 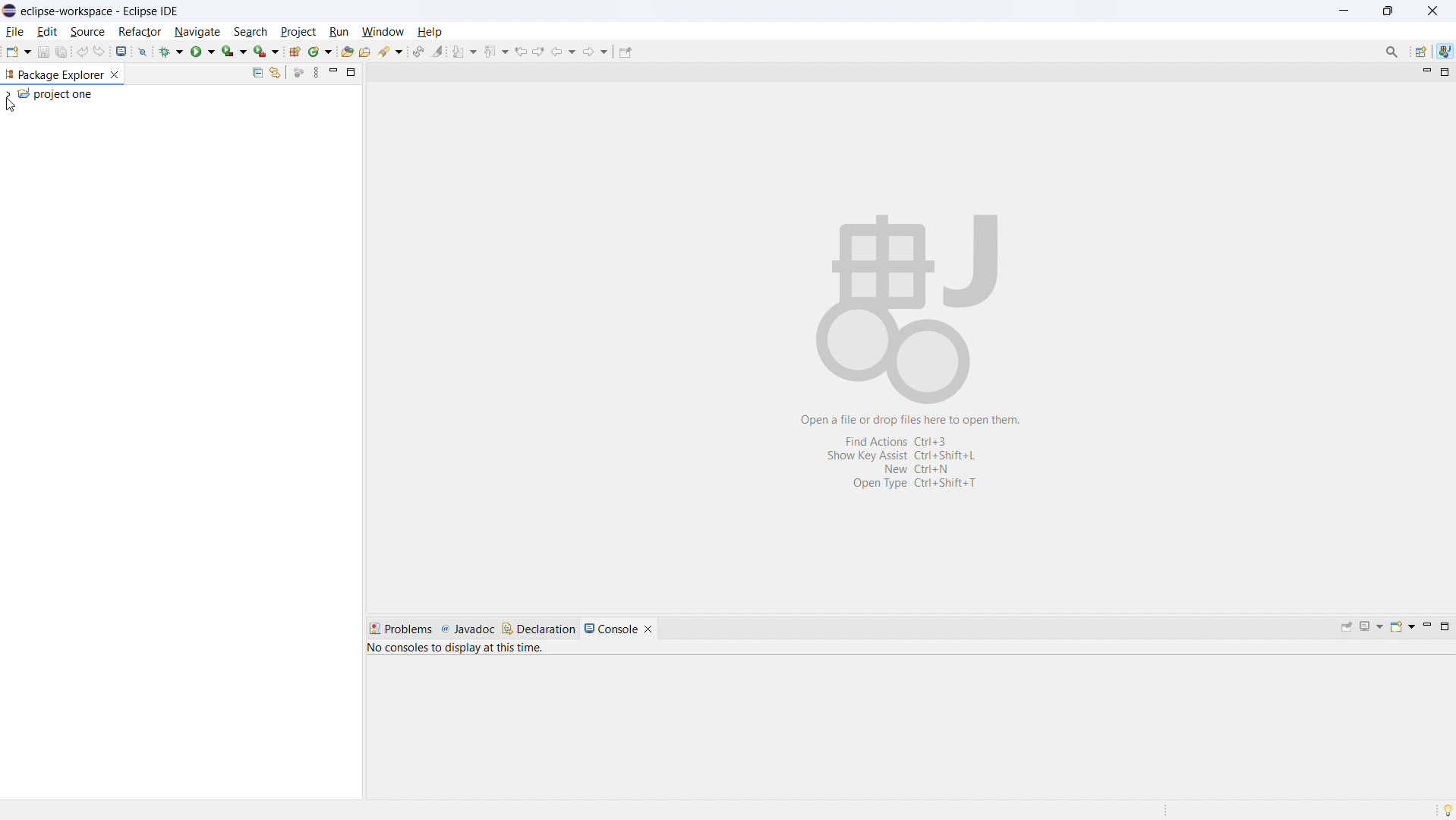 I want to click on javadoc, so click(x=469, y=628).